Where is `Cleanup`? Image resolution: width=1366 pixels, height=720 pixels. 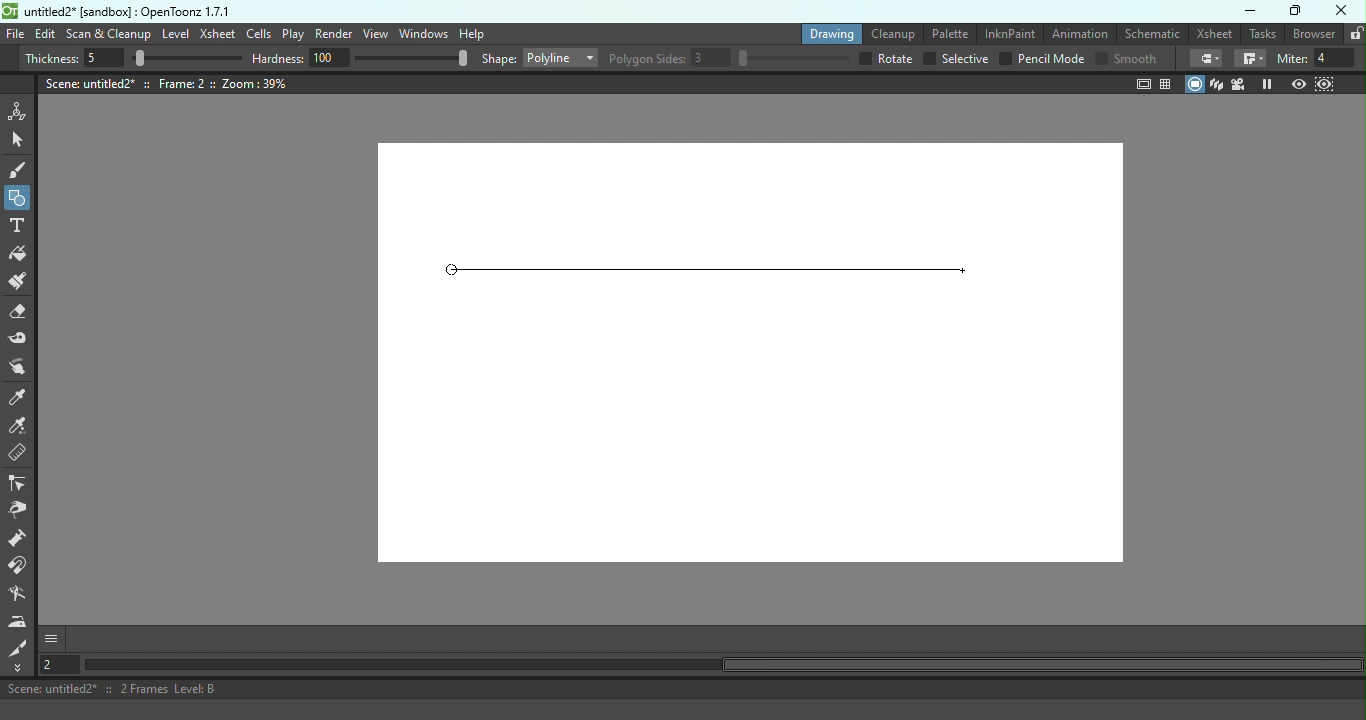 Cleanup is located at coordinates (891, 32).